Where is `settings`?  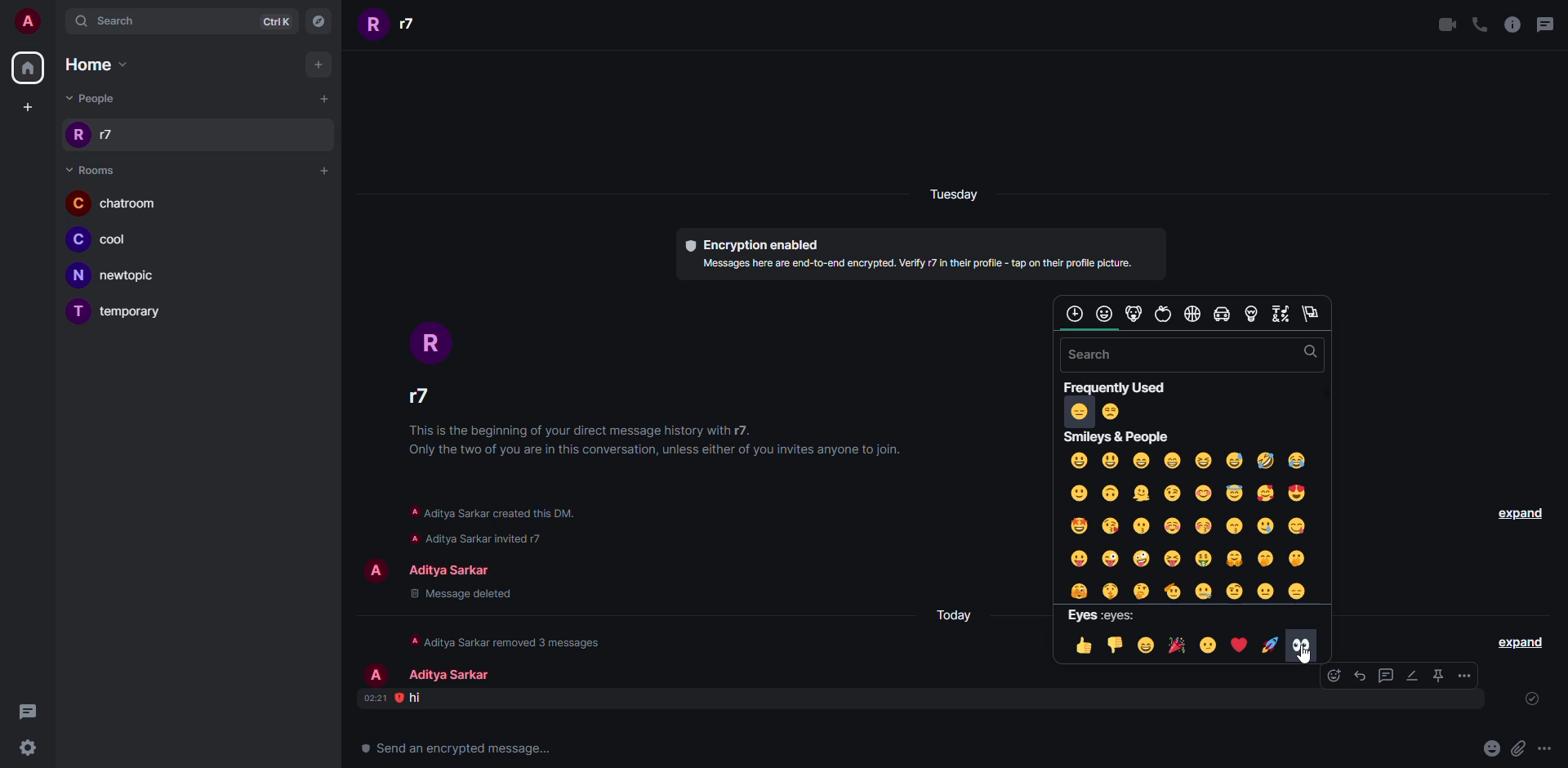 settings is located at coordinates (25, 747).